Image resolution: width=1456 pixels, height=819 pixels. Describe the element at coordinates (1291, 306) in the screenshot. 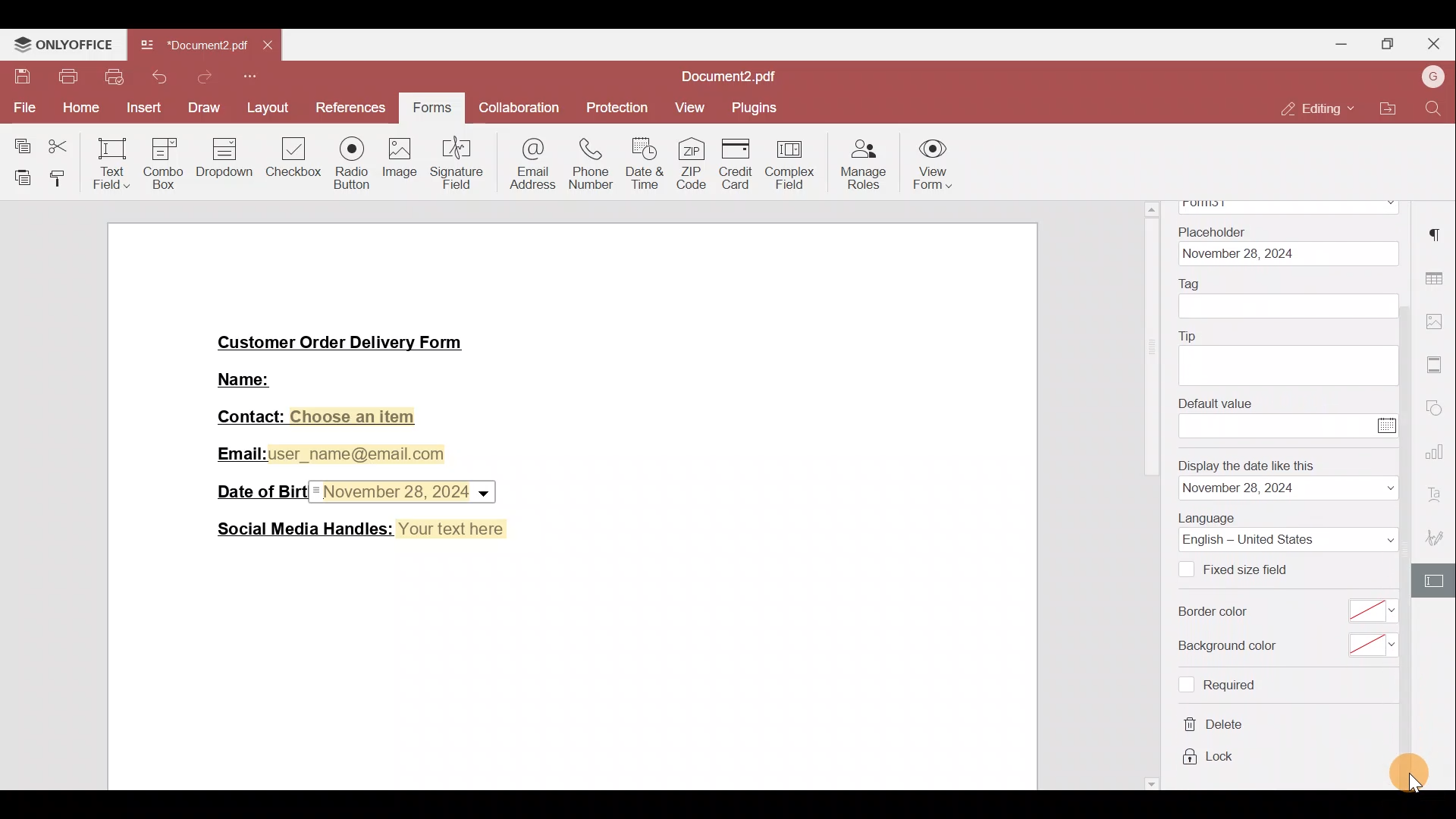

I see `tag` at that location.